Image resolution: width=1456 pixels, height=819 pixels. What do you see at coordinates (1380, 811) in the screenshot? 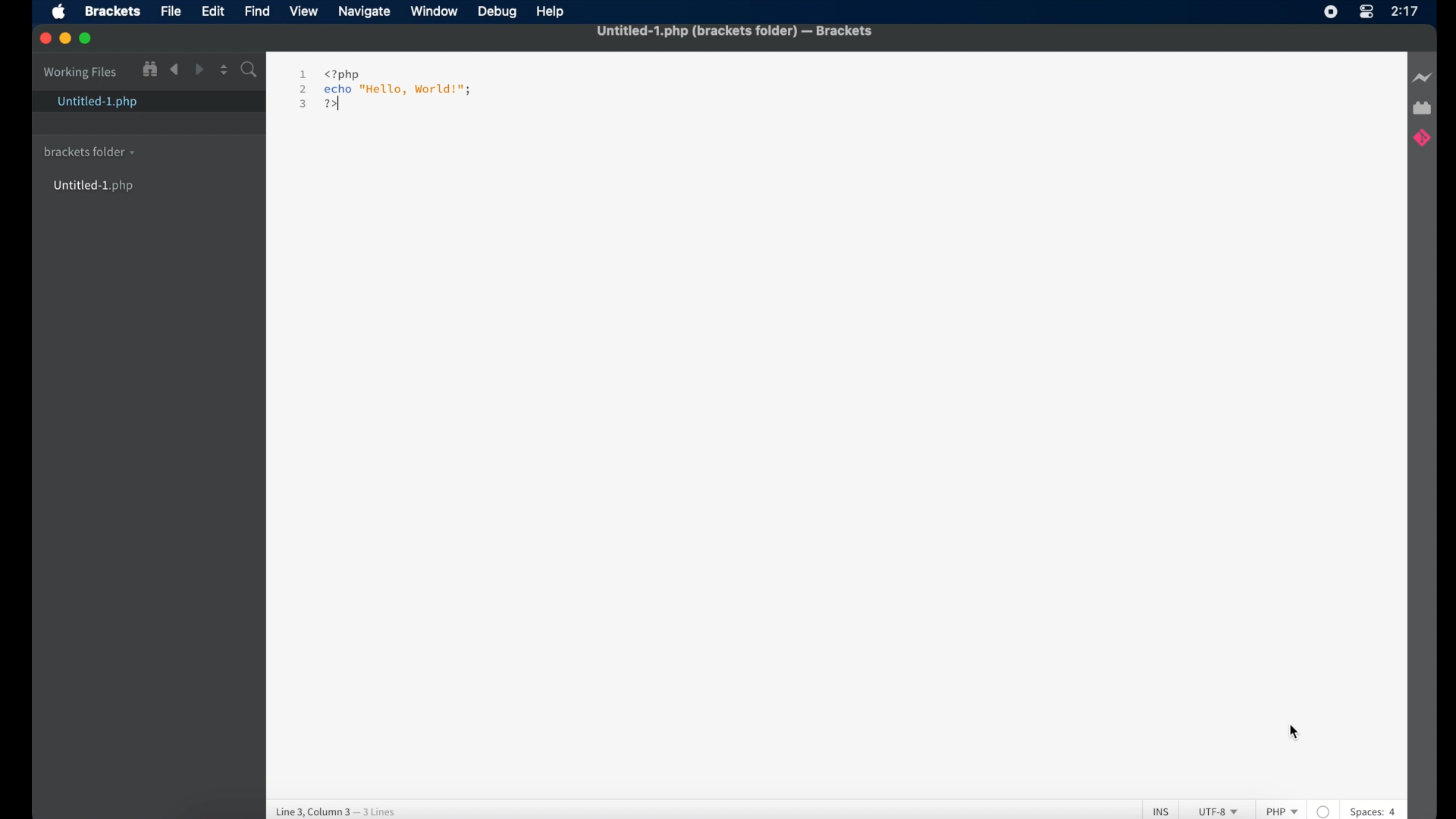
I see `spaces: 4` at bounding box center [1380, 811].